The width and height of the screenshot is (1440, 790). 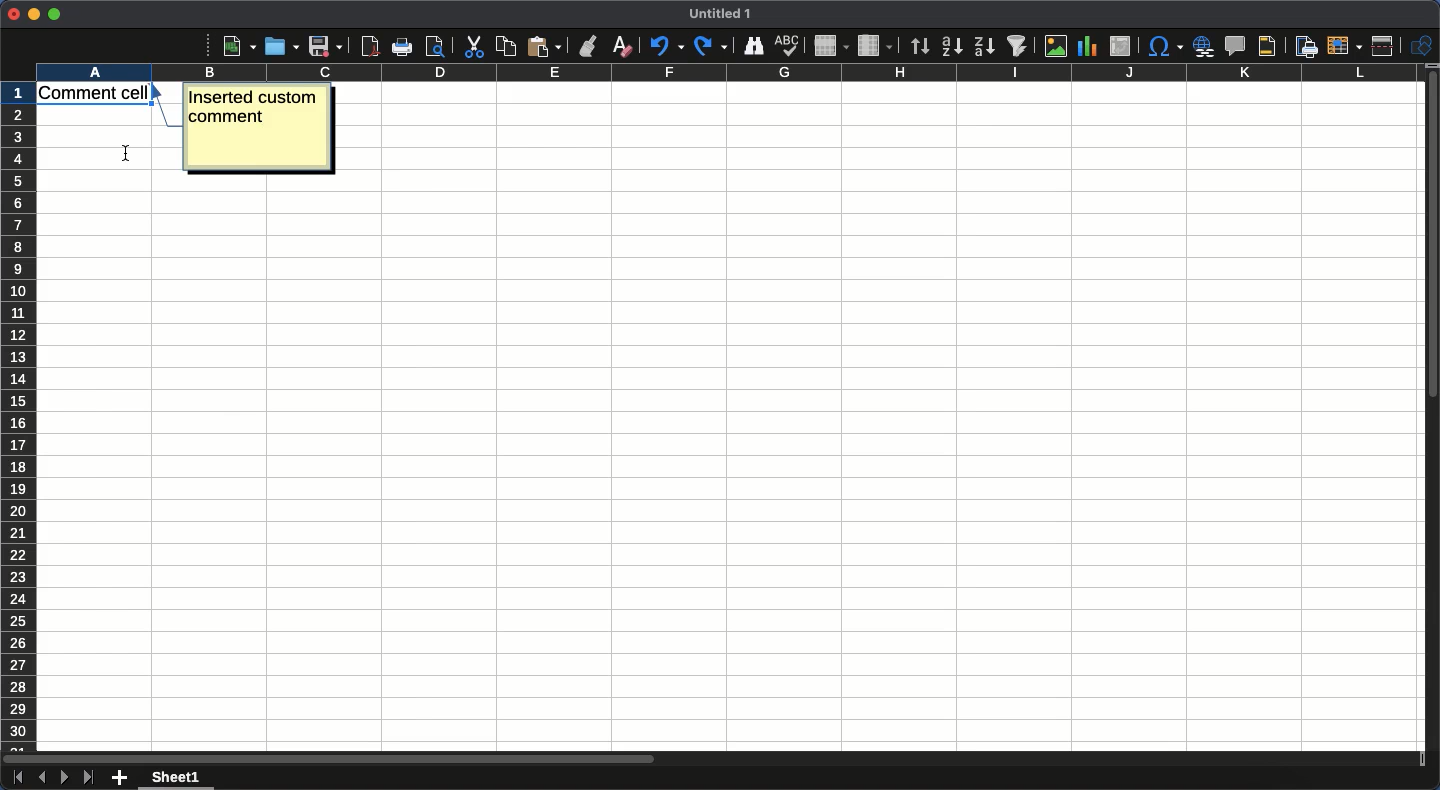 What do you see at coordinates (118, 778) in the screenshot?
I see `Add new sheet` at bounding box center [118, 778].